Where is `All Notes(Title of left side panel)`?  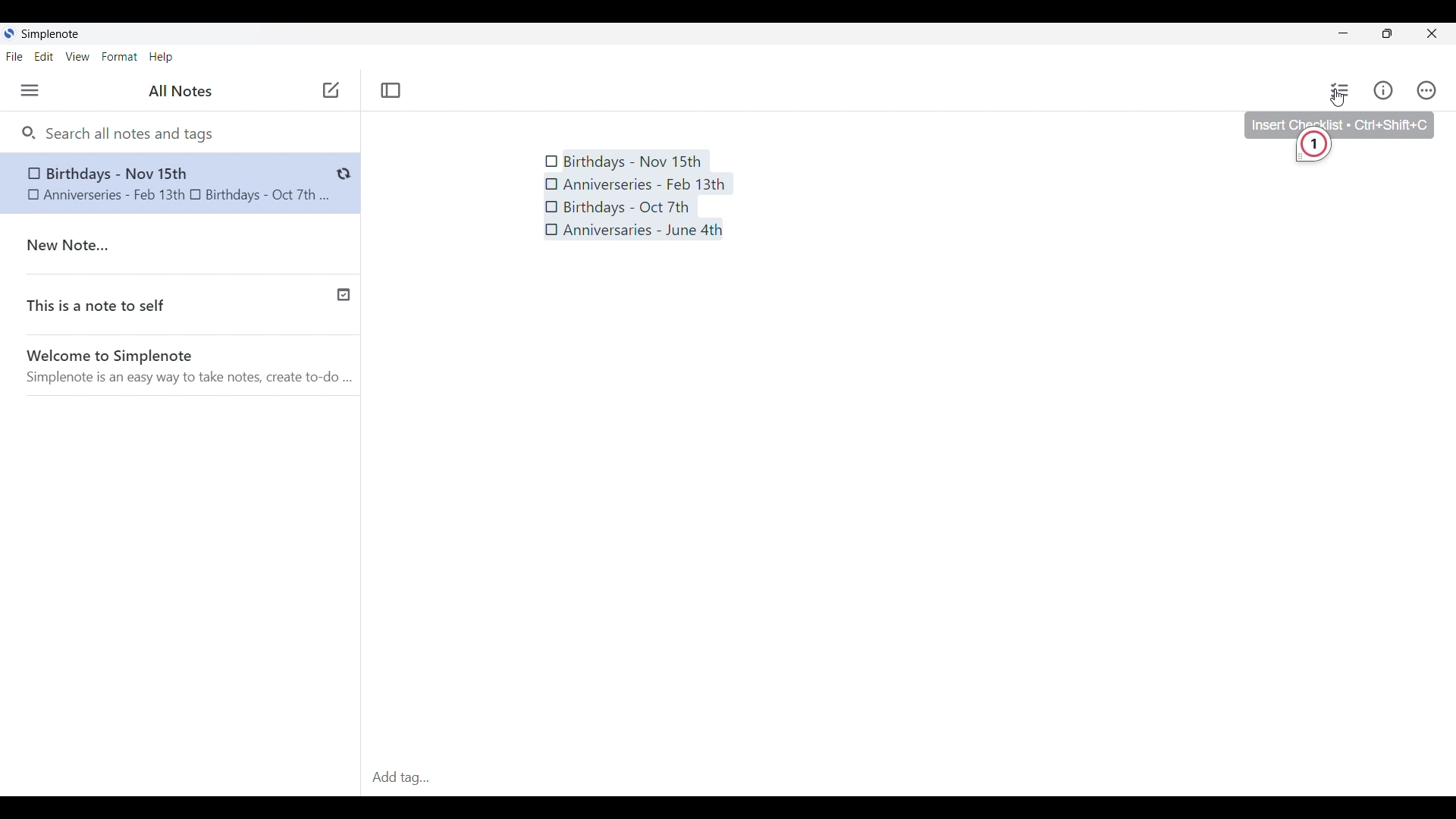 All Notes(Title of left side panel) is located at coordinates (180, 91).